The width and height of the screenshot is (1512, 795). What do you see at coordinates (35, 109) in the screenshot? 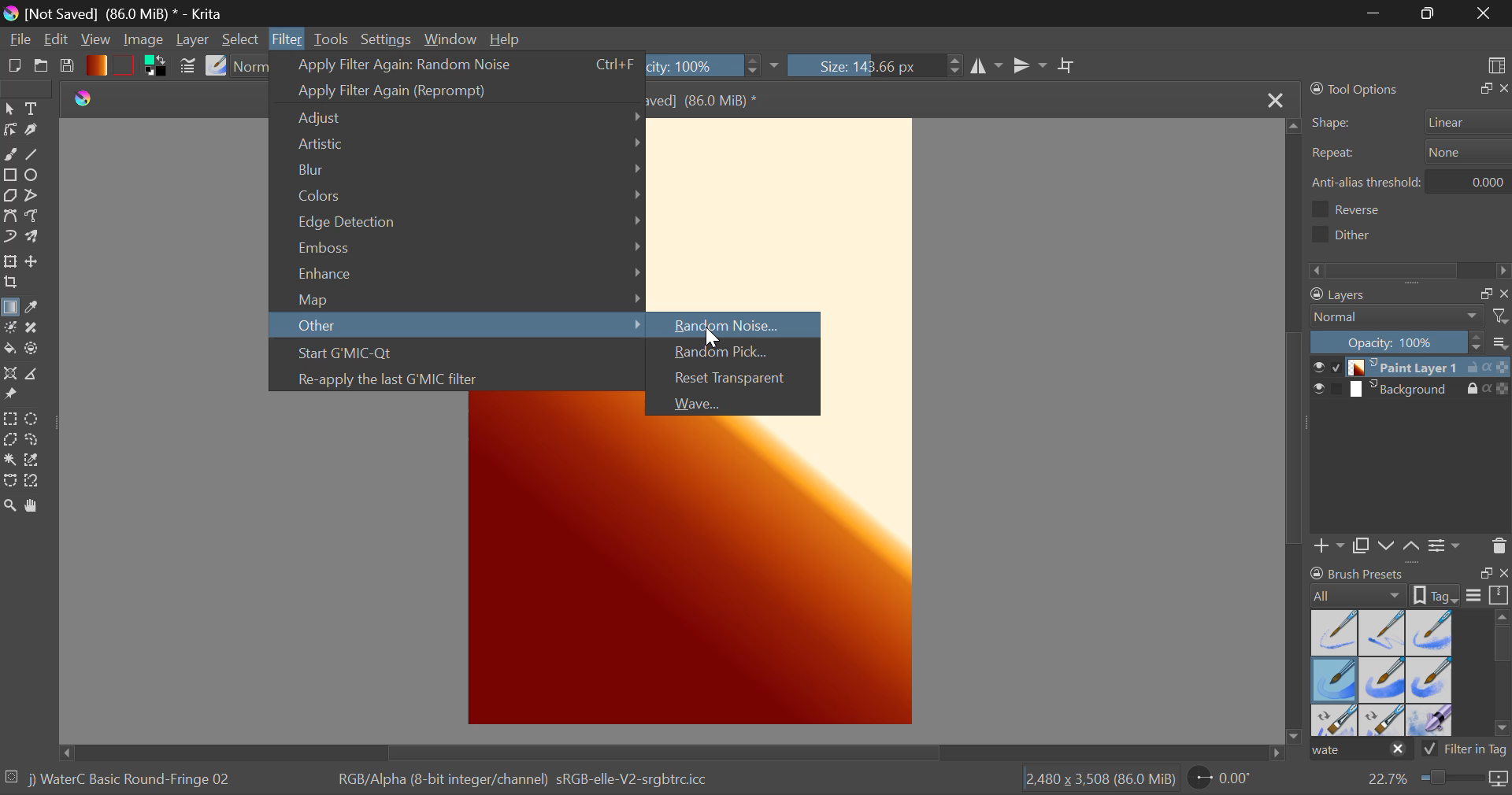
I see `Text` at bounding box center [35, 109].